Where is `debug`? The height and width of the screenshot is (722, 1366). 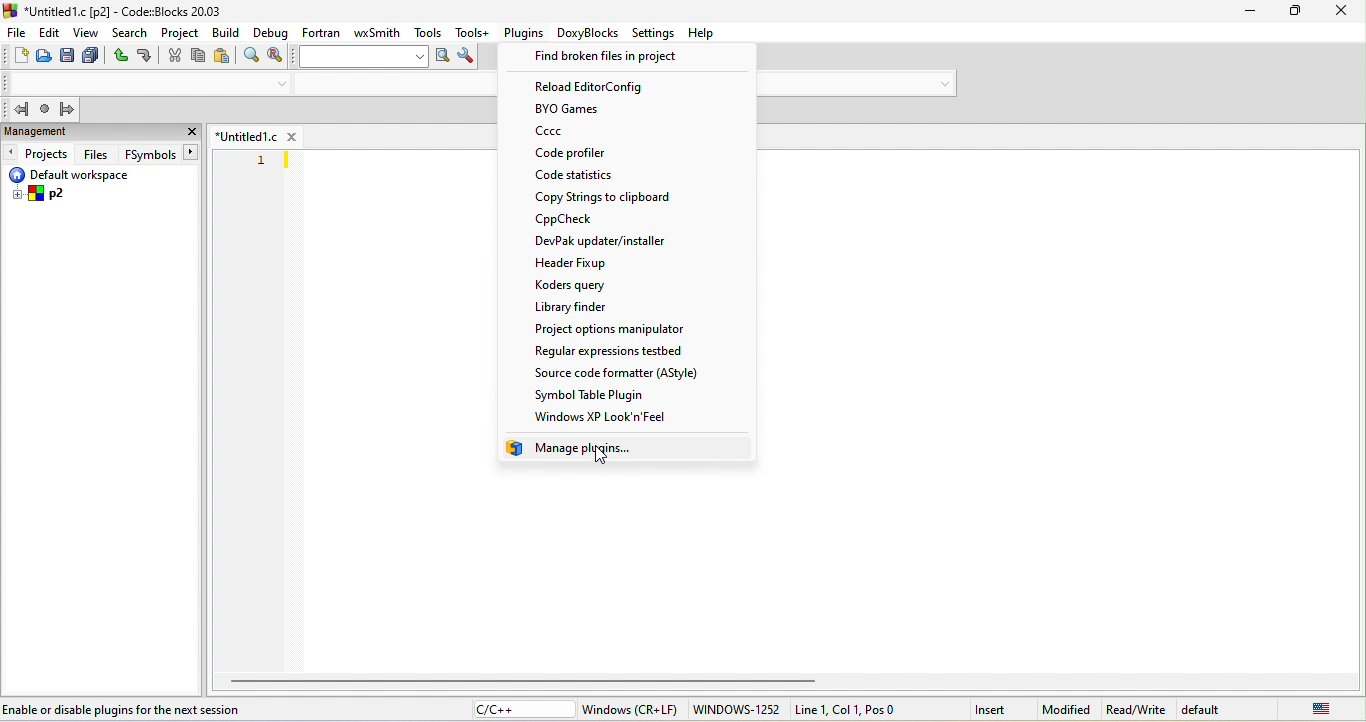
debug is located at coordinates (272, 32).